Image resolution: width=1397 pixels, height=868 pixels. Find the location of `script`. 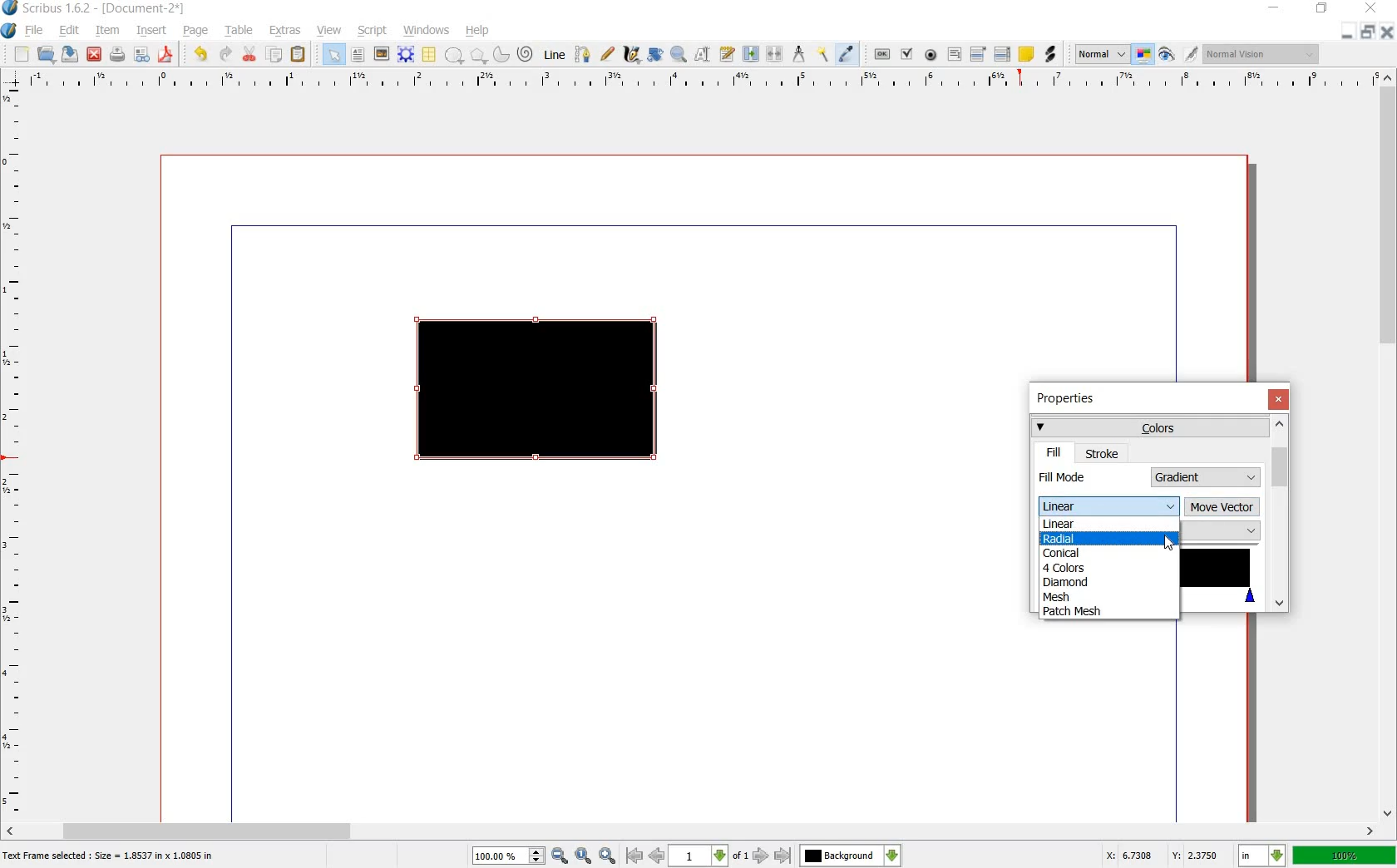

script is located at coordinates (373, 31).